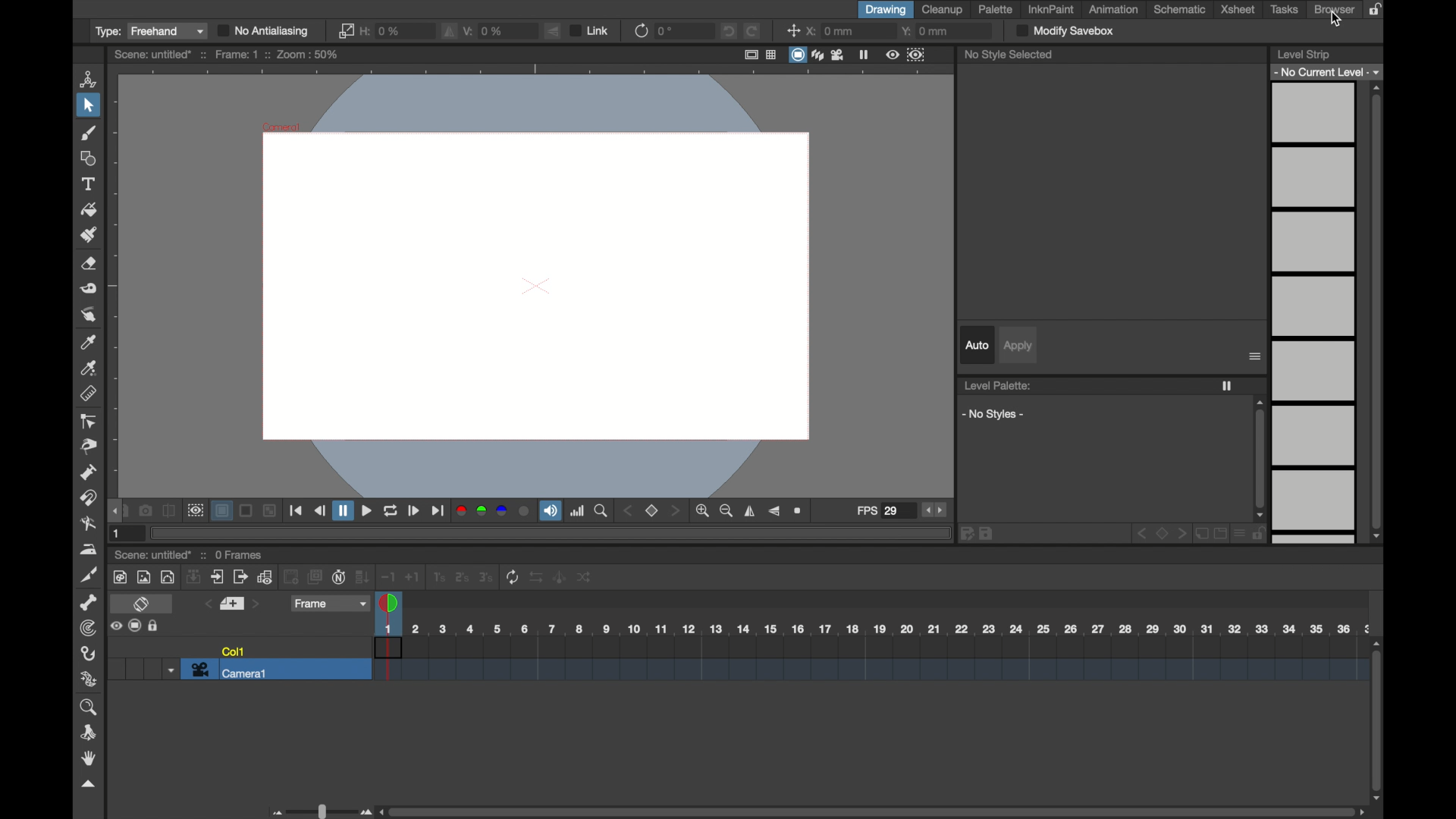 This screenshot has width=1456, height=819. What do you see at coordinates (1179, 9) in the screenshot?
I see `schematic` at bounding box center [1179, 9].